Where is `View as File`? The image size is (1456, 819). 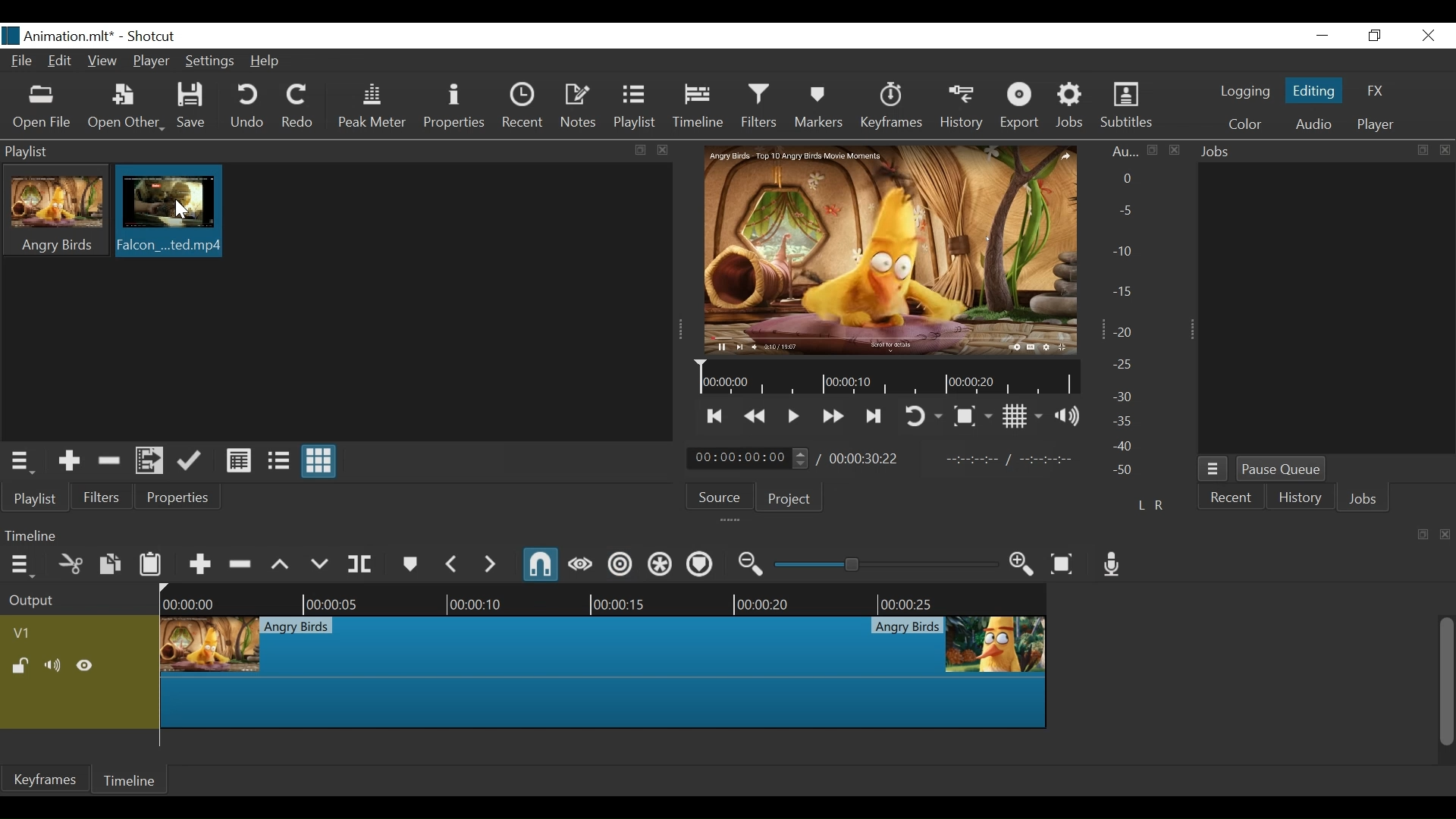
View as File is located at coordinates (278, 462).